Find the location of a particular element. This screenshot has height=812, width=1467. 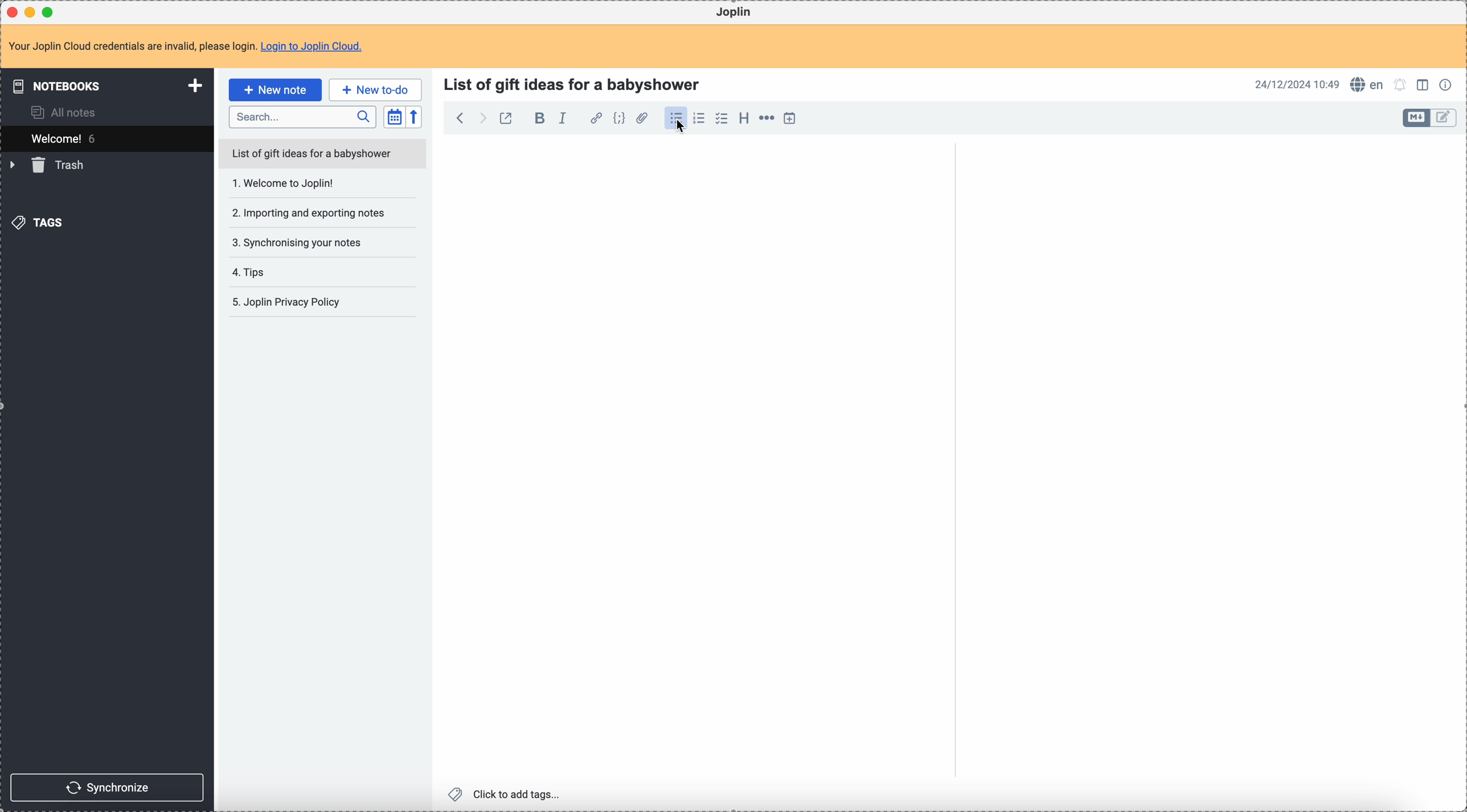

reverse sort order is located at coordinates (413, 118).